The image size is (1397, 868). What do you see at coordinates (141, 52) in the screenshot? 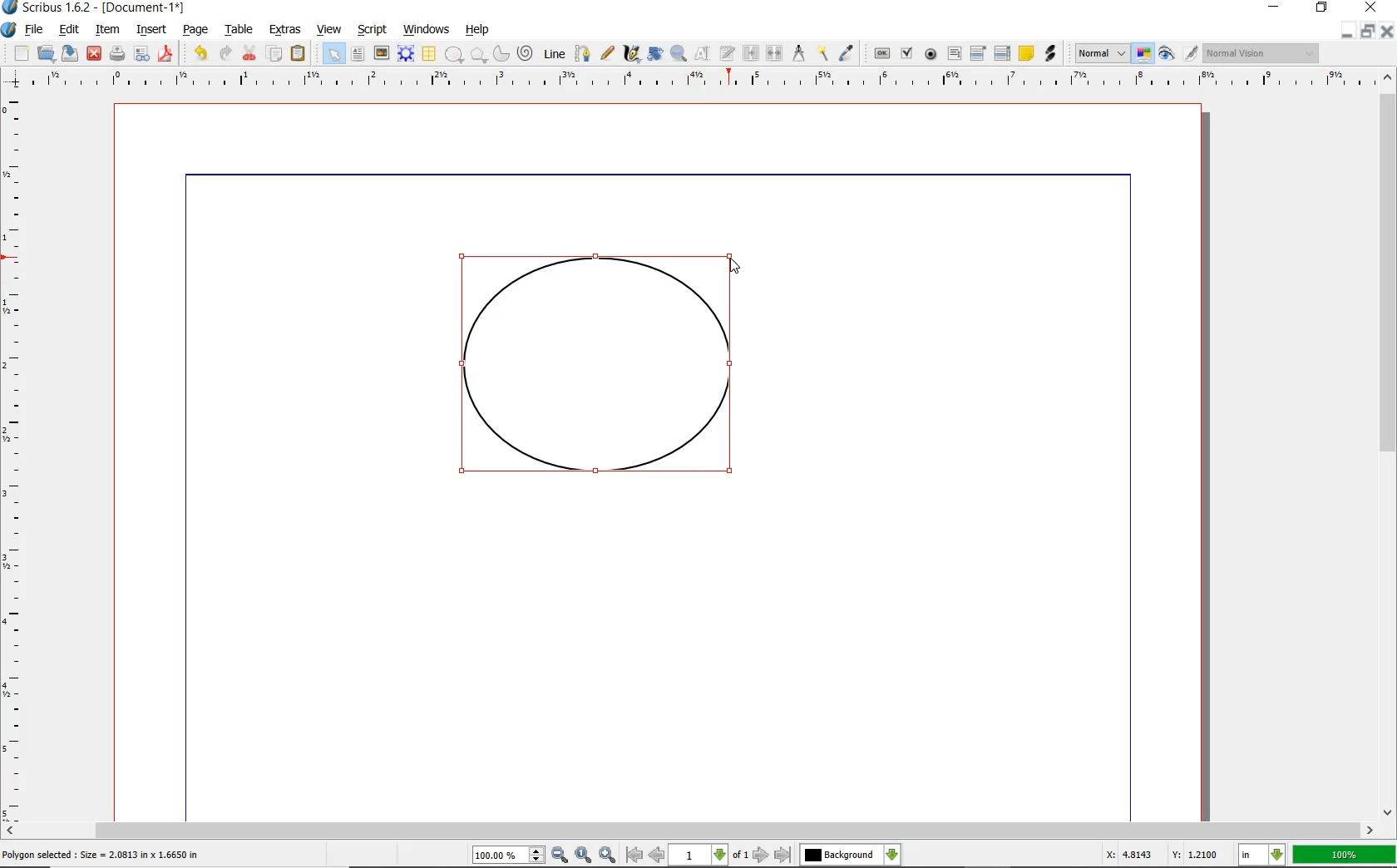
I see `PREFLIGHT VERIFIER` at bounding box center [141, 52].